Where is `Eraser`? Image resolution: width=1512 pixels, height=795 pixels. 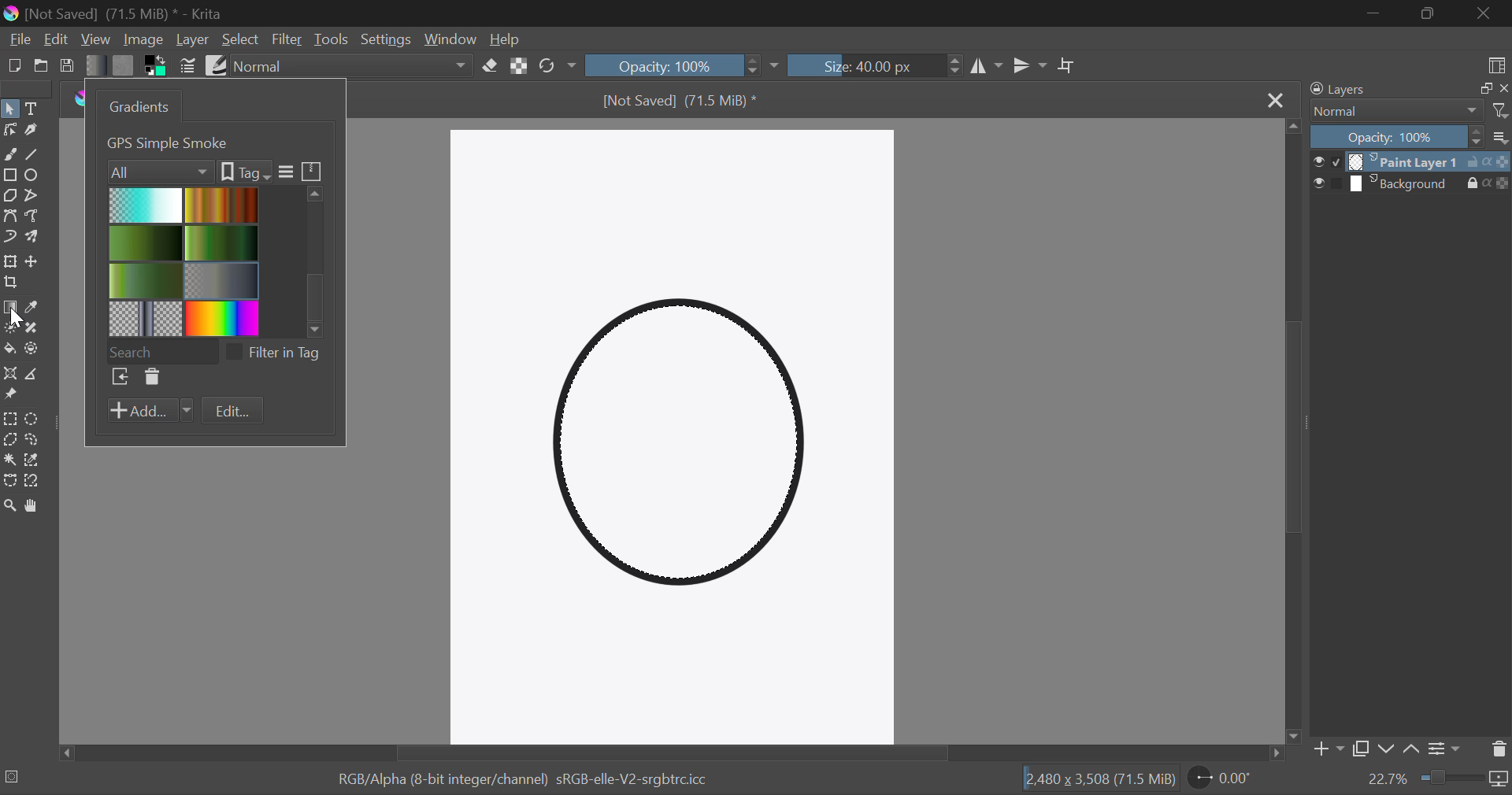
Eraser is located at coordinates (490, 66).